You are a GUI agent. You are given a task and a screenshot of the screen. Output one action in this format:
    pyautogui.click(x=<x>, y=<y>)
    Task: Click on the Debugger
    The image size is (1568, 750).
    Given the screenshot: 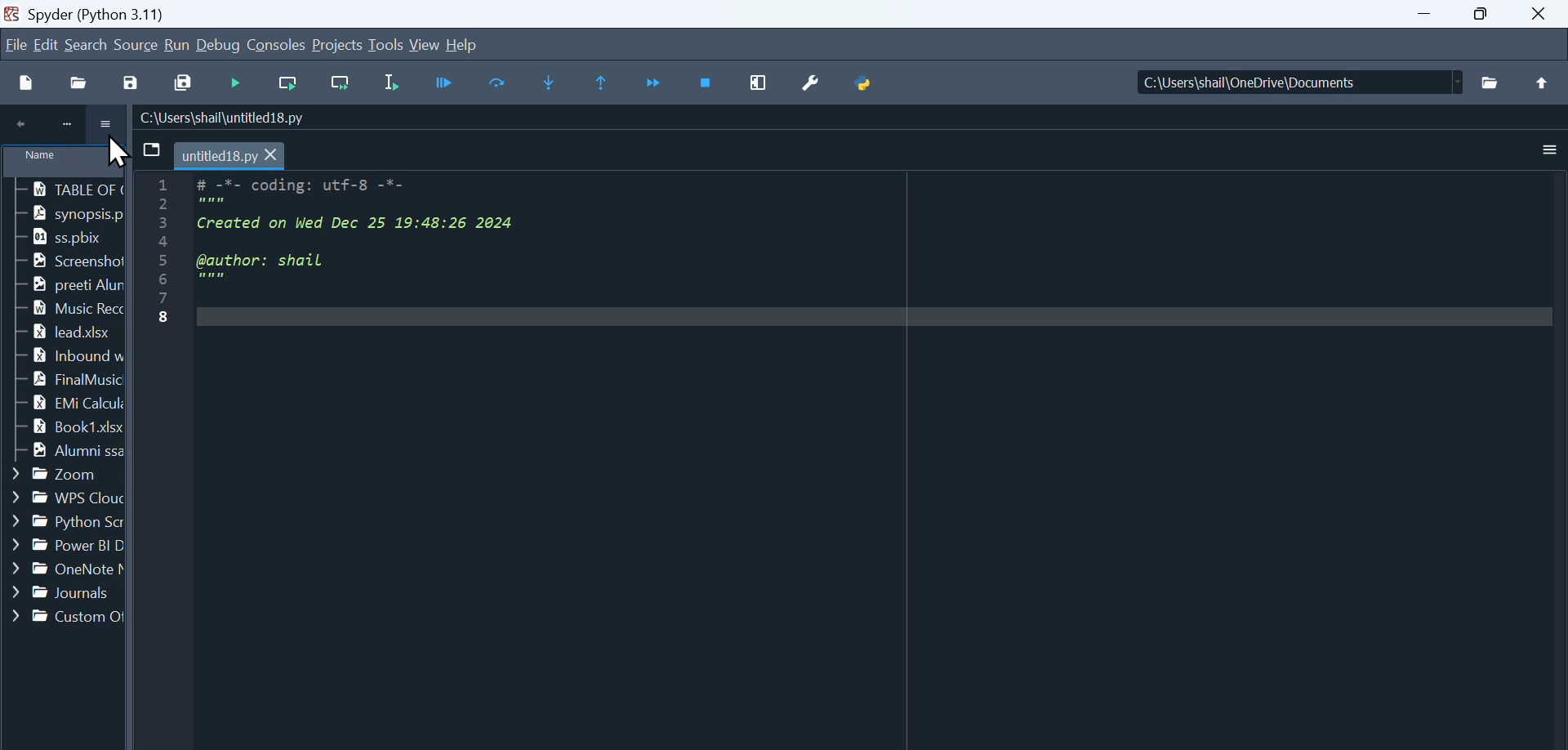 What is the action you would take?
    pyautogui.click(x=448, y=83)
    